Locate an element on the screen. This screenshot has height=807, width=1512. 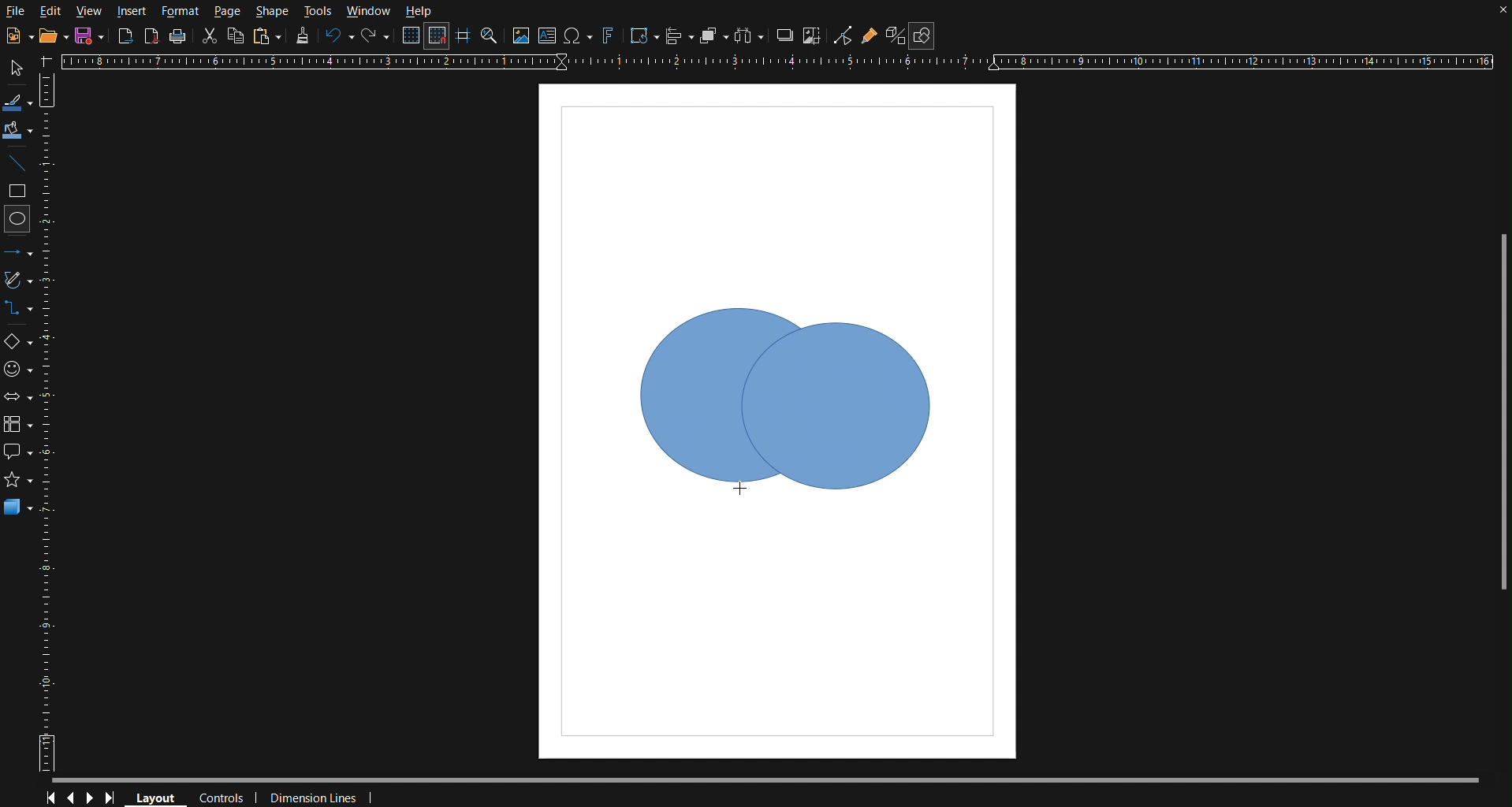
Window is located at coordinates (368, 10).